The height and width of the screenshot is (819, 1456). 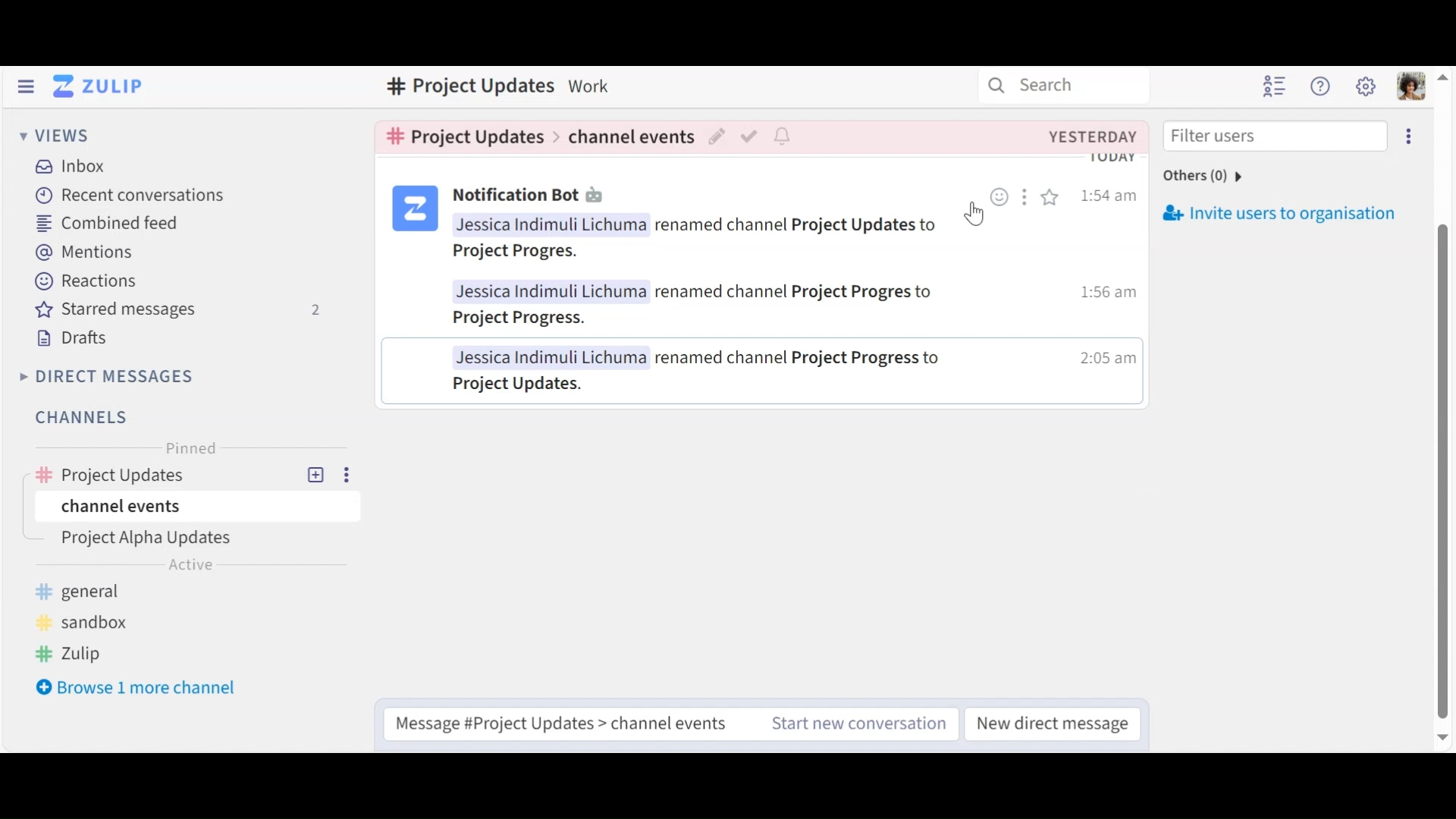 What do you see at coordinates (130, 194) in the screenshot?
I see `Recent Conversations` at bounding box center [130, 194].